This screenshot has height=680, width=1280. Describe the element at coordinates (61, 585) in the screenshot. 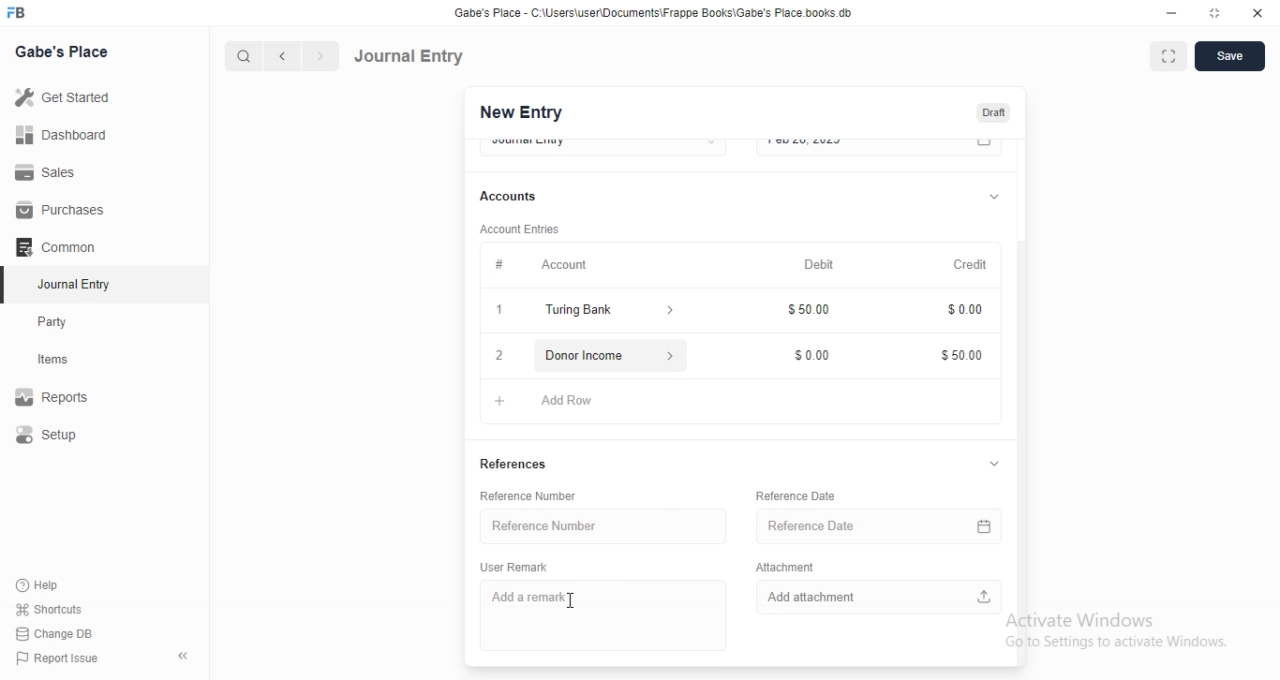

I see `‘Help` at that location.